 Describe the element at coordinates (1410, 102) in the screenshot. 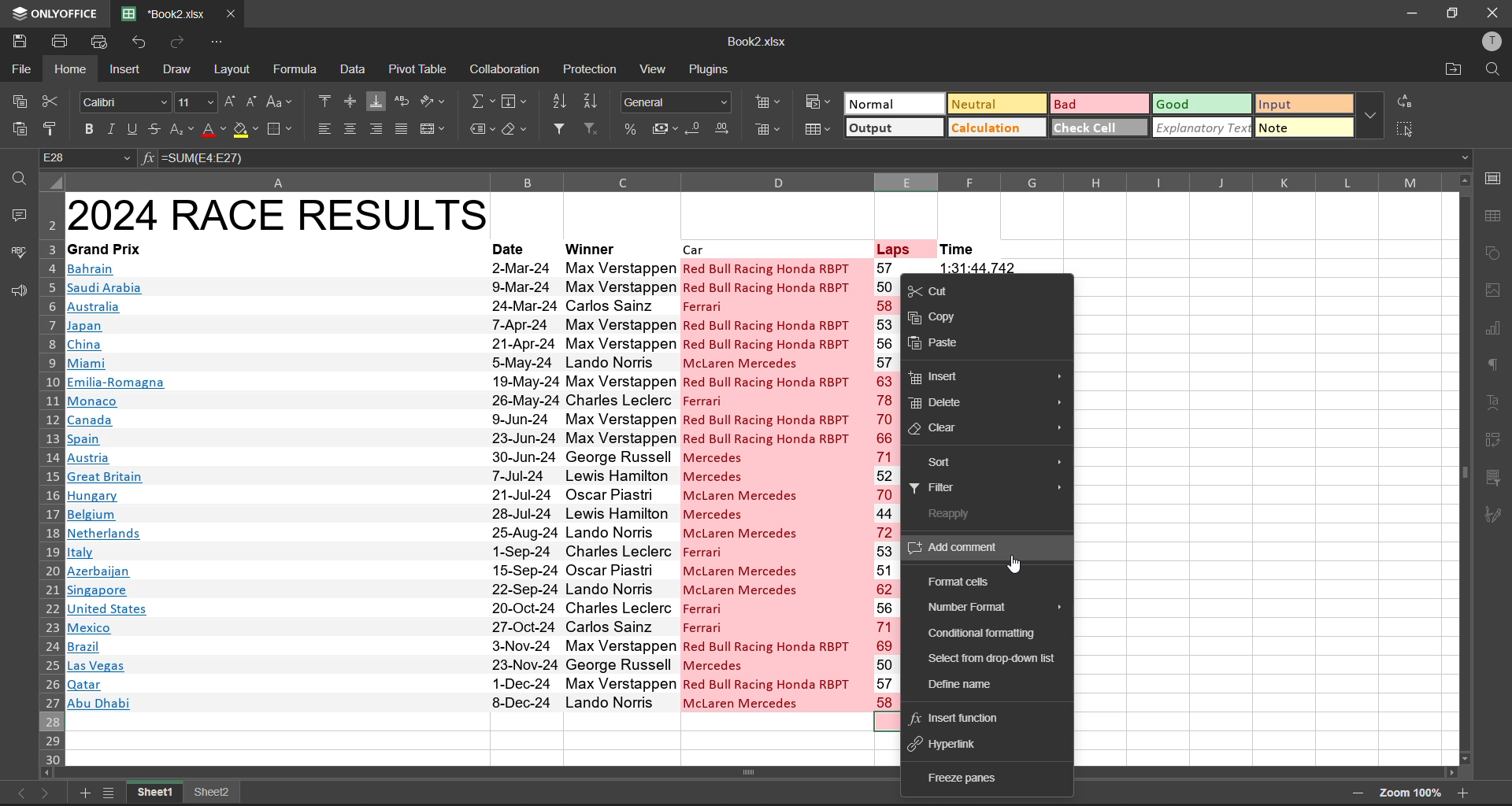

I see `replace` at that location.